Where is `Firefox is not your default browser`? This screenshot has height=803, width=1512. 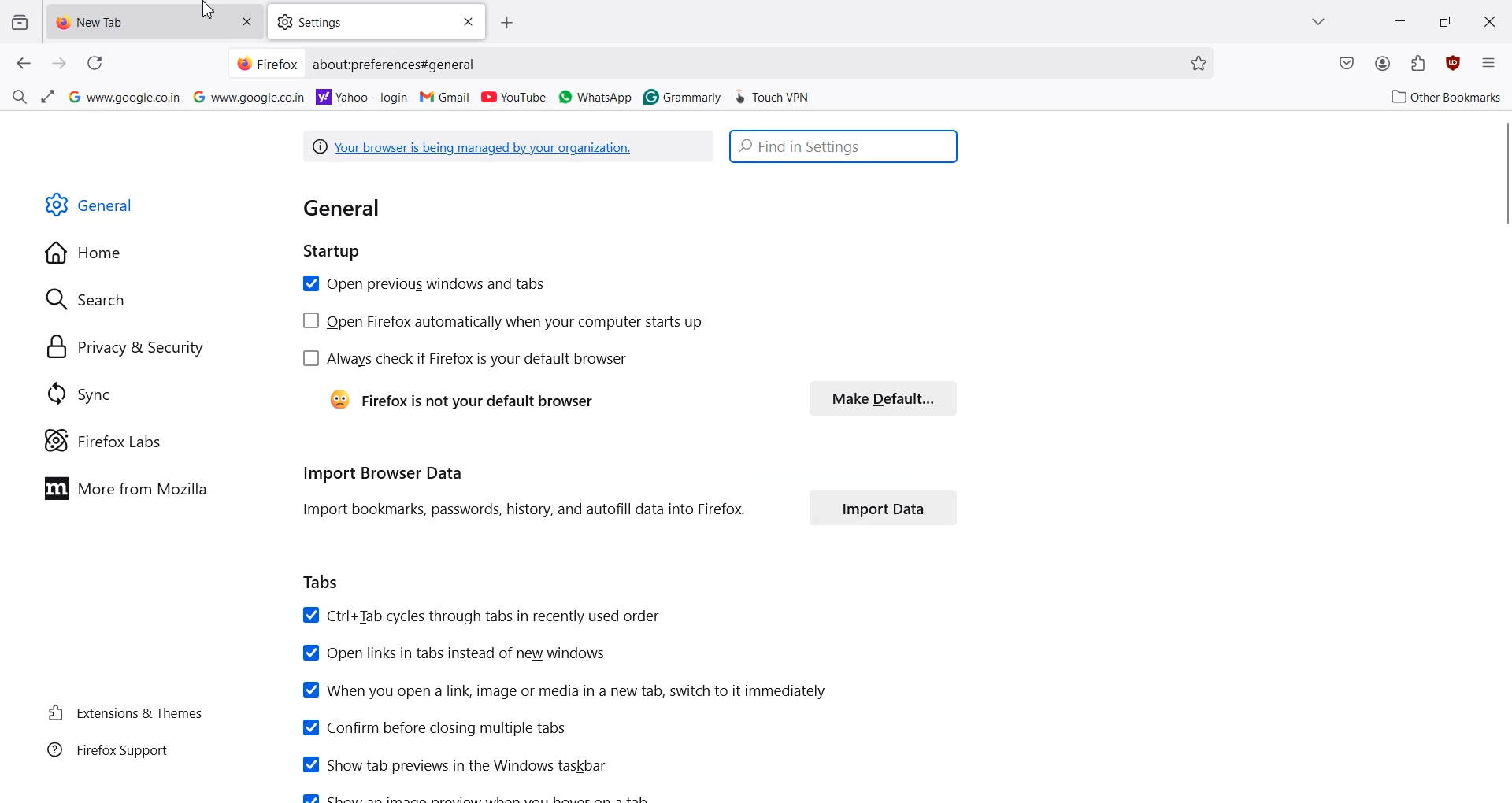
Firefox is not your default browser is located at coordinates (458, 401).